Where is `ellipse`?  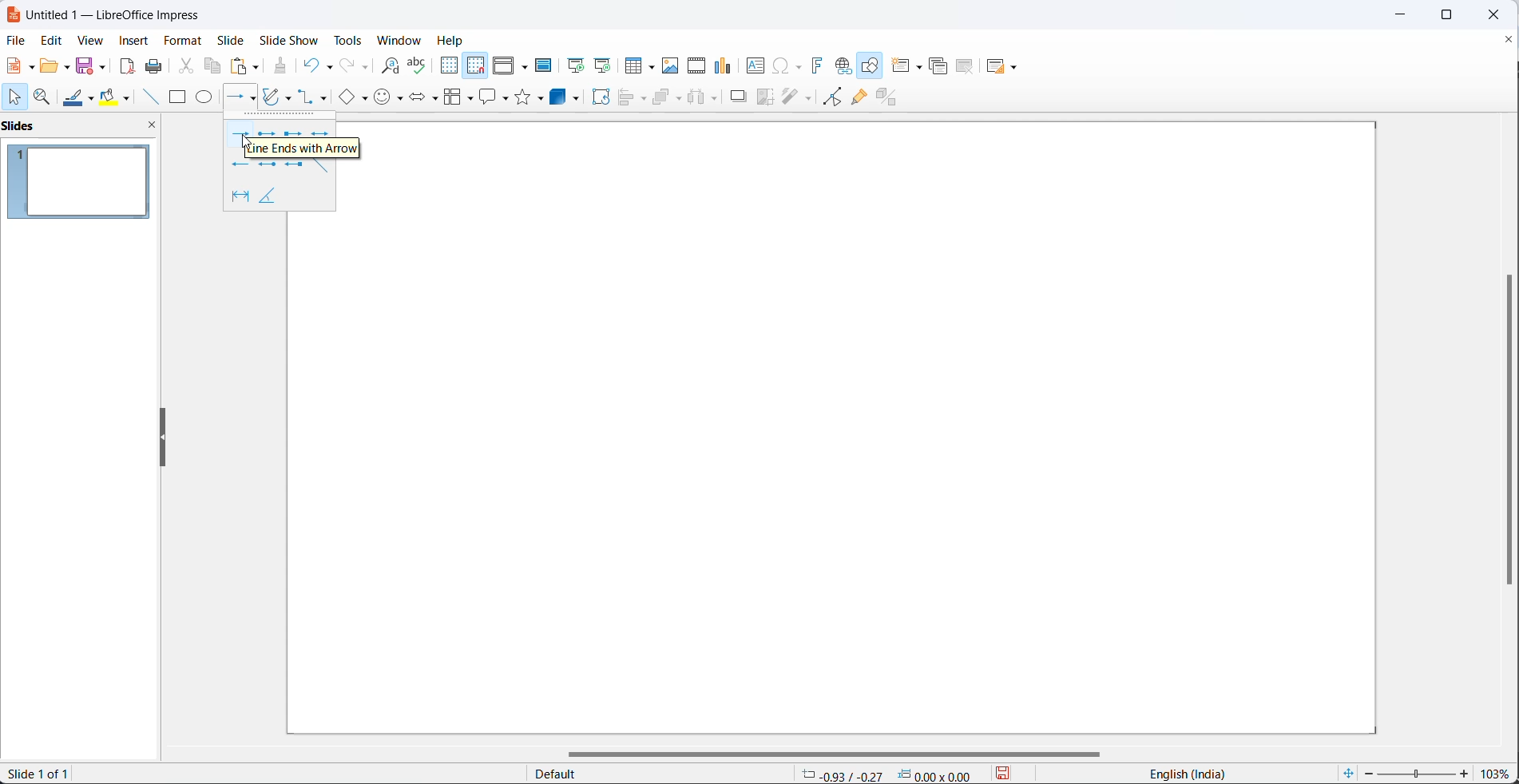 ellipse is located at coordinates (204, 98).